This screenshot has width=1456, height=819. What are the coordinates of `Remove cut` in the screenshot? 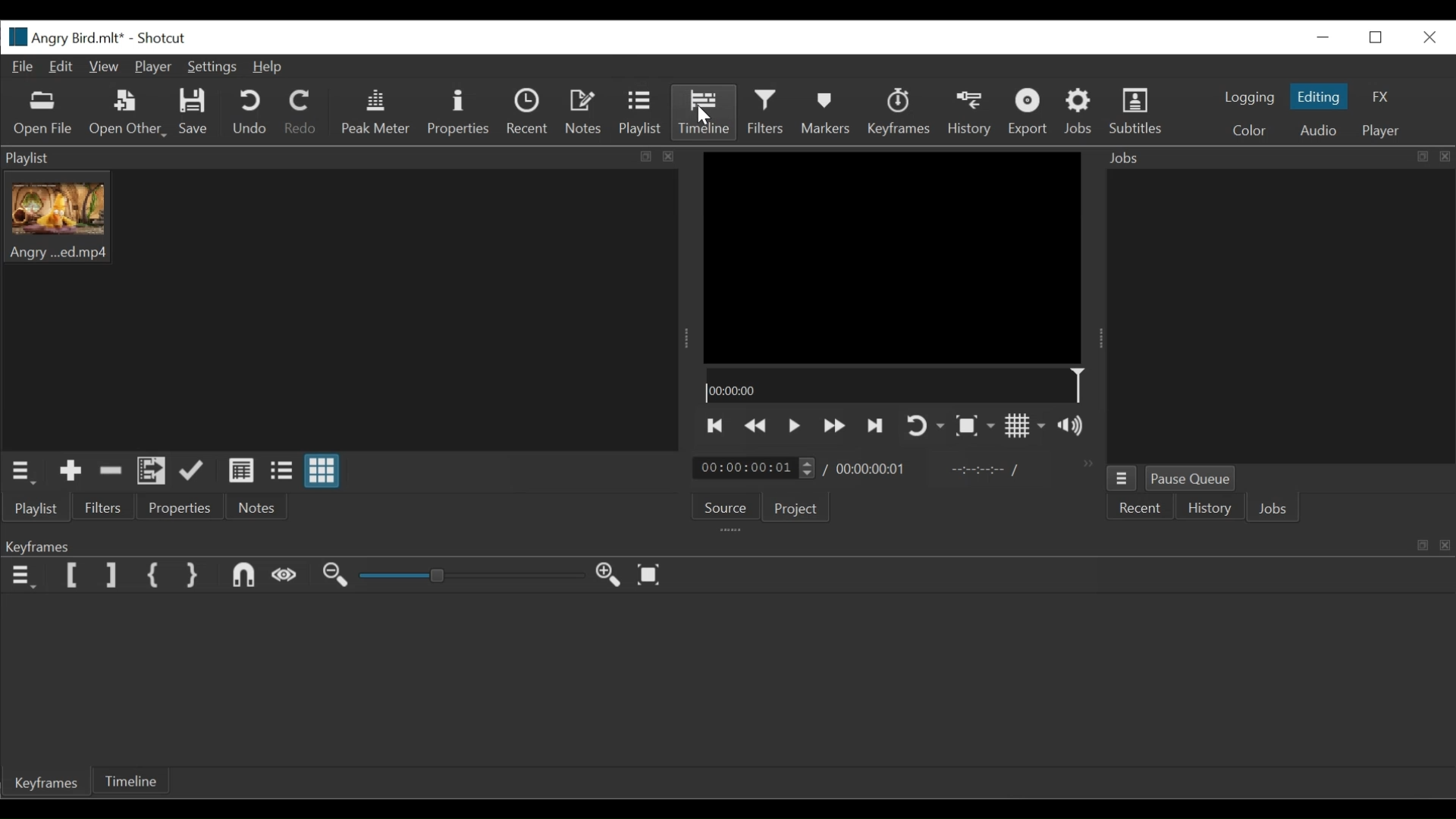 It's located at (111, 472).